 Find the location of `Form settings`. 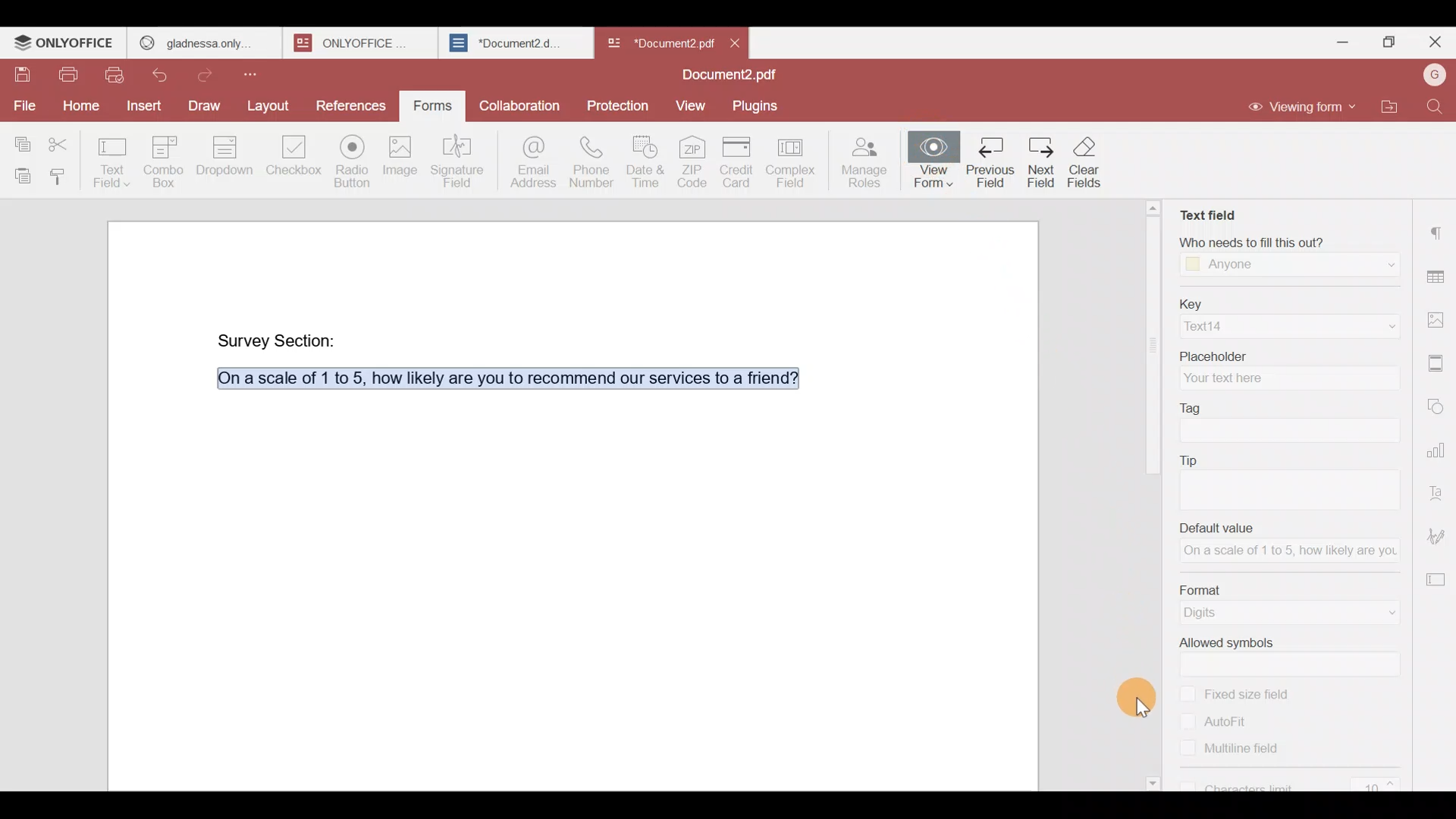

Form settings is located at coordinates (1437, 580).